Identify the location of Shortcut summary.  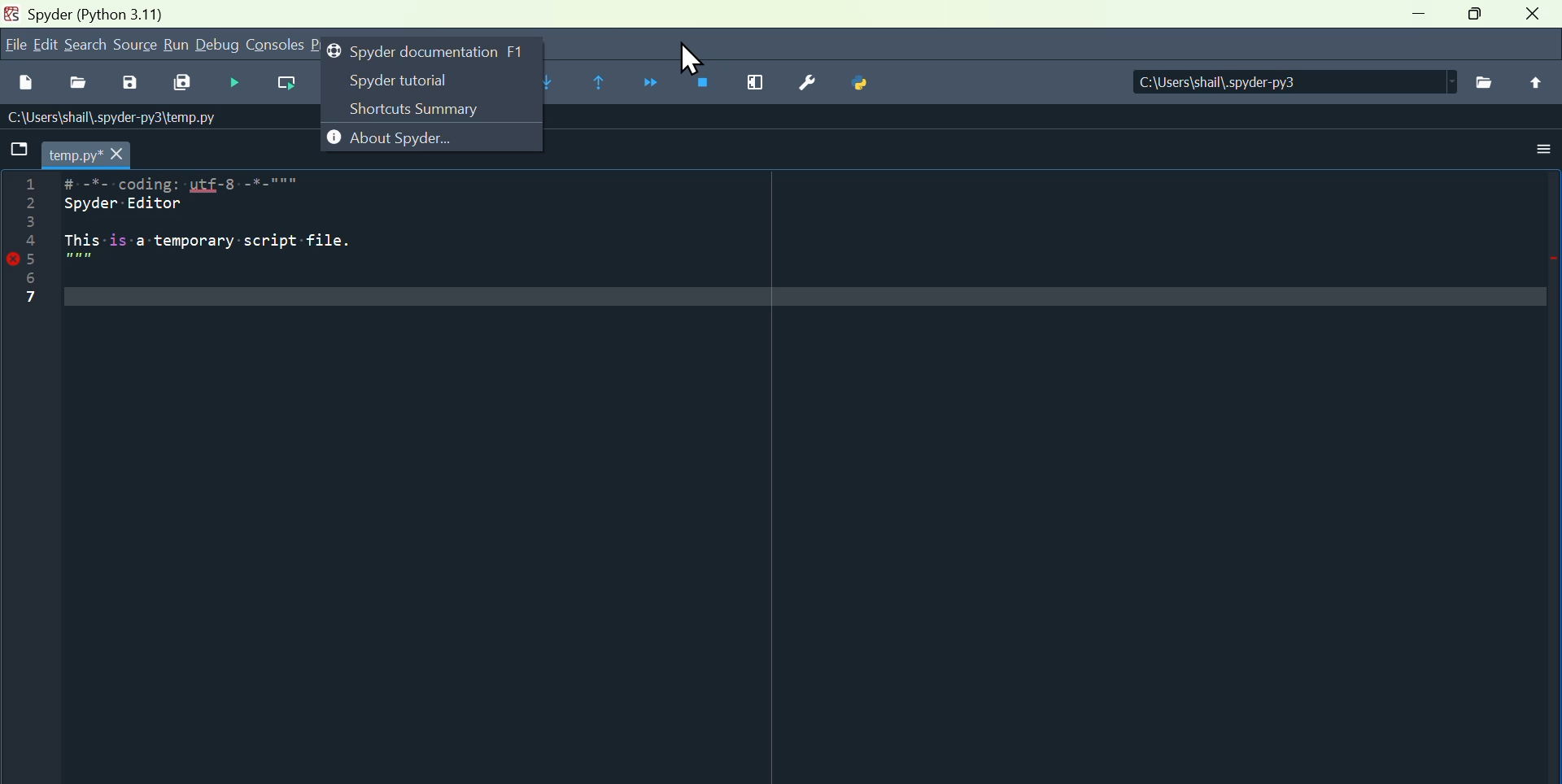
(428, 108).